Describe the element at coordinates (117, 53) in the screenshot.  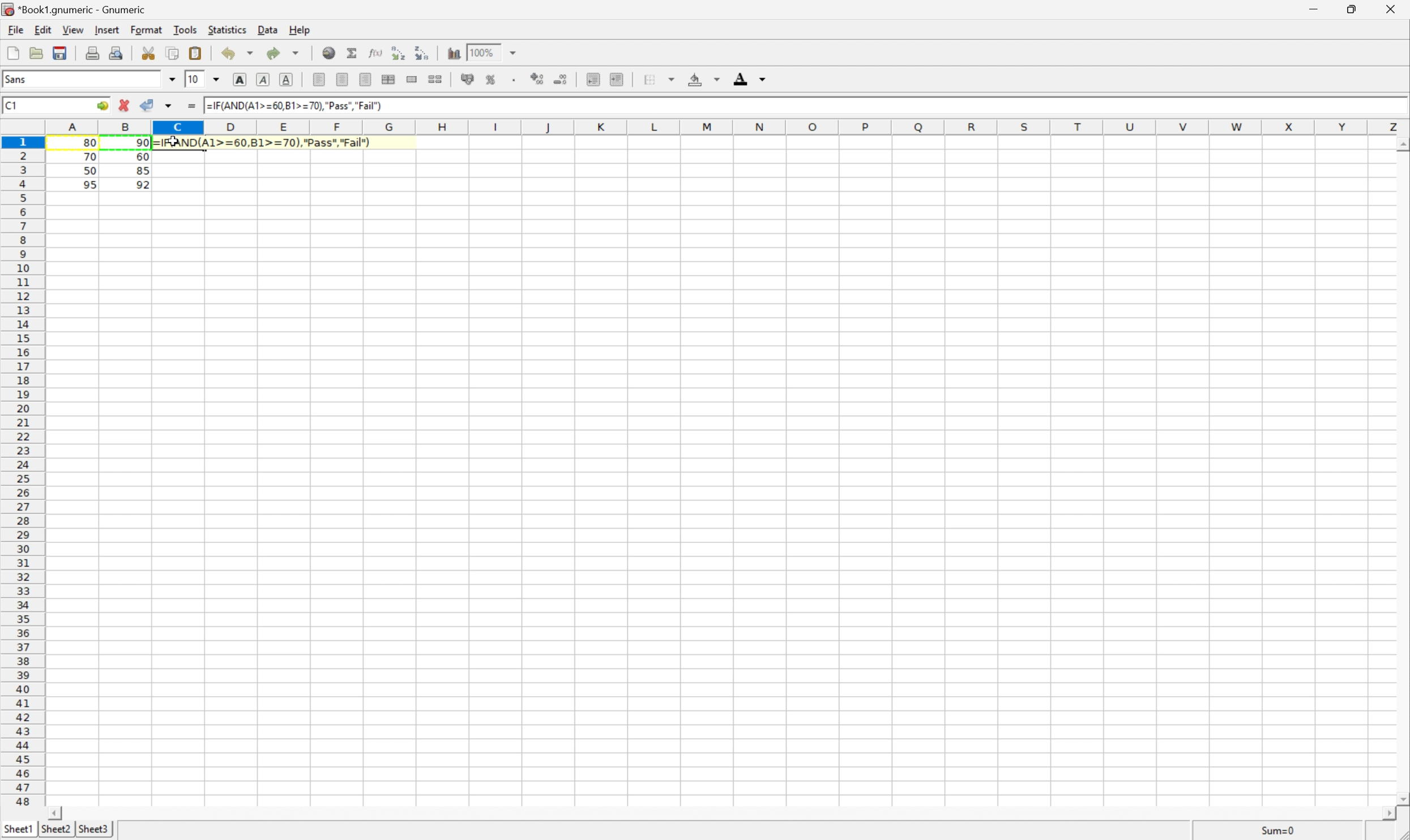
I see `Print preview` at that location.